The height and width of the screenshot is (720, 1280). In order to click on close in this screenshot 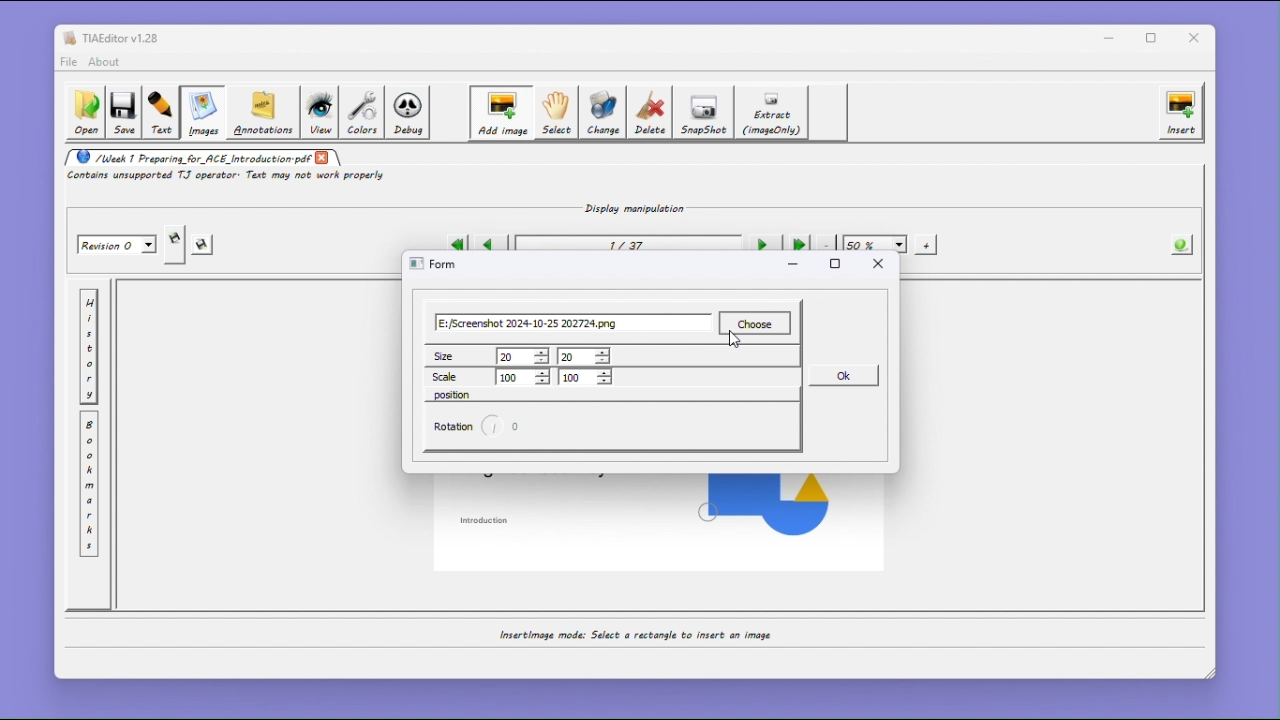, I will do `click(878, 264)`.